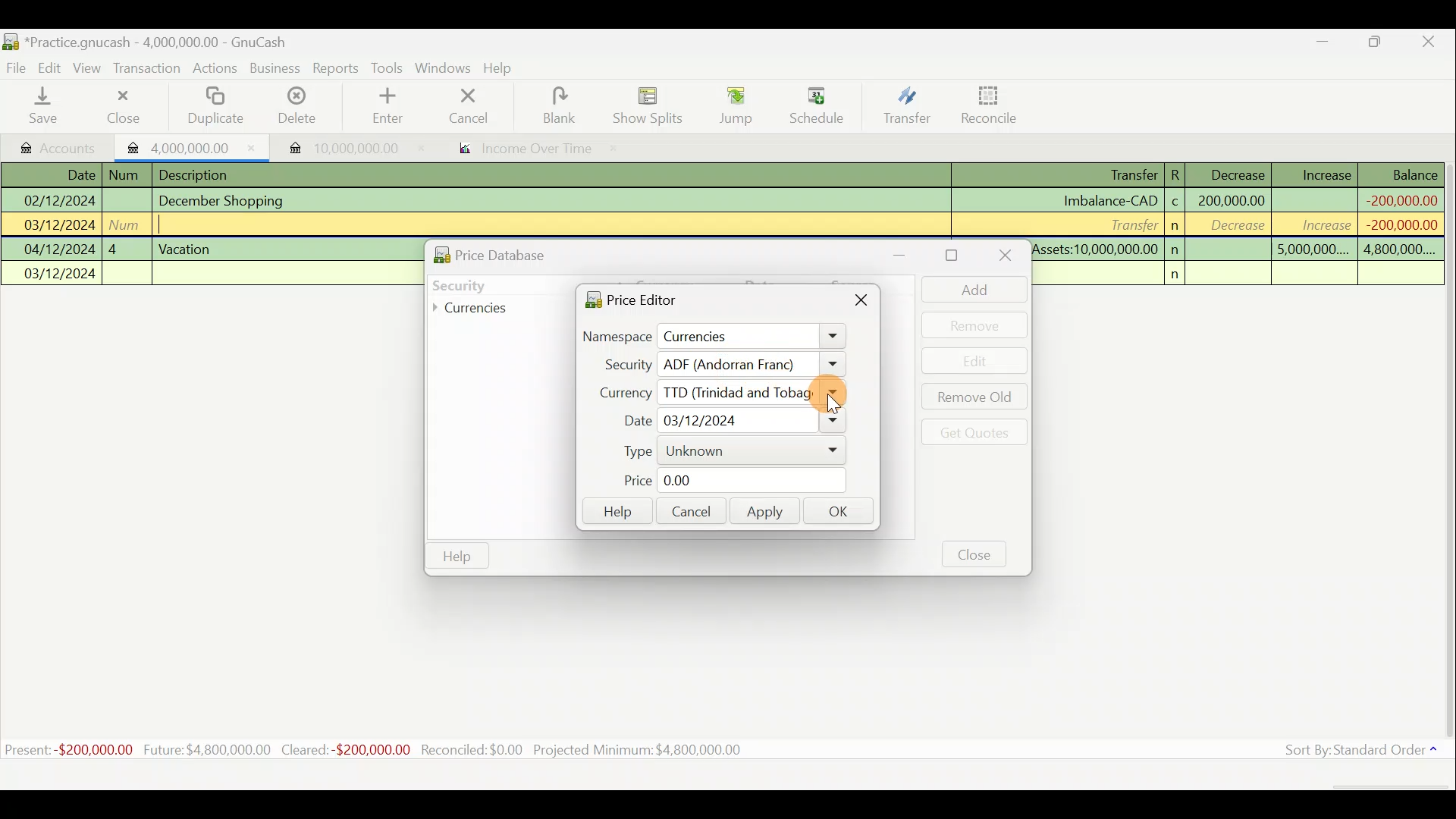 This screenshot has width=1456, height=819. Describe the element at coordinates (1109, 200) in the screenshot. I see `Imbalance-CAD` at that location.